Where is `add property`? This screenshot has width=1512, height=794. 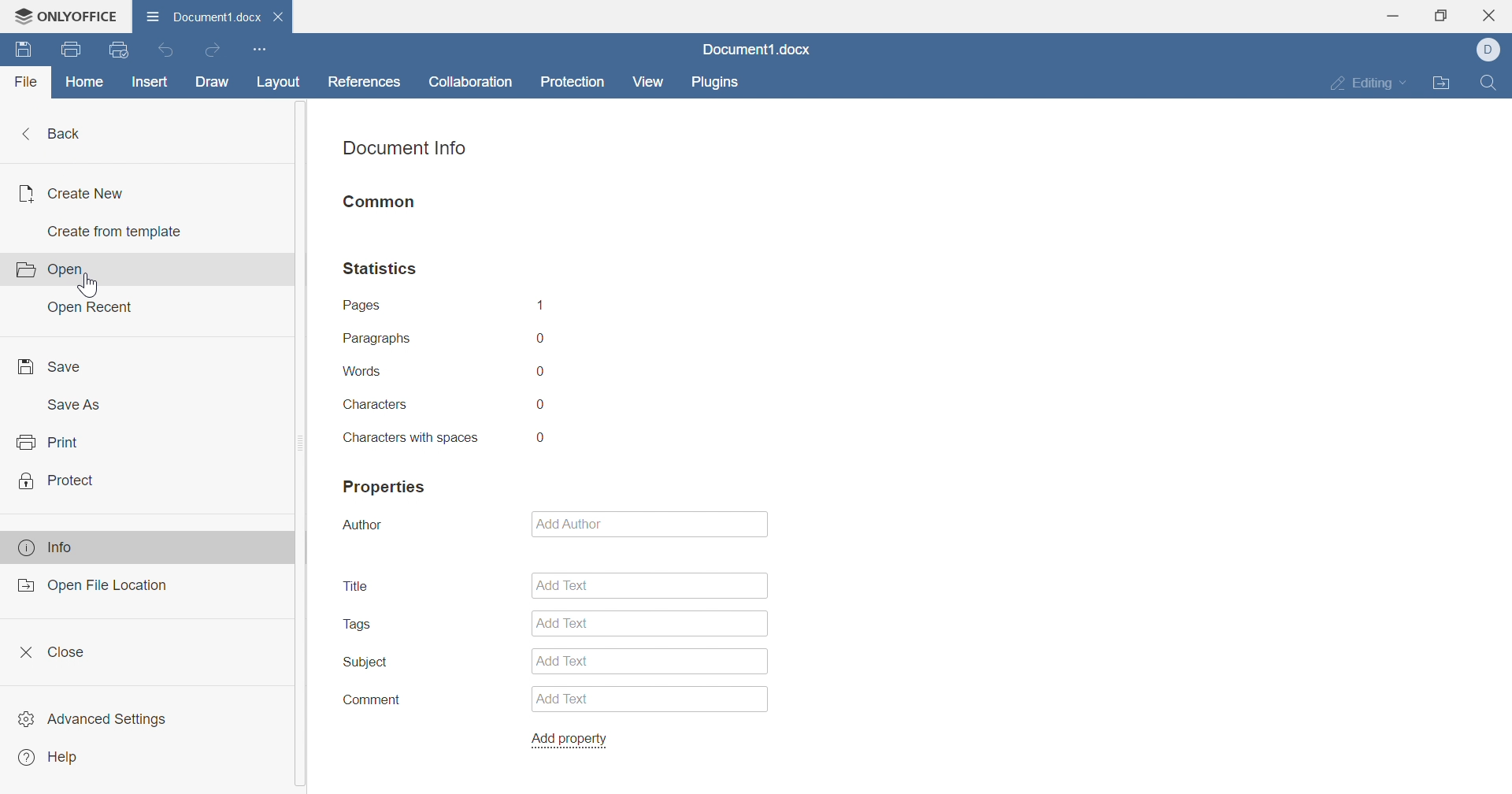
add property is located at coordinates (572, 738).